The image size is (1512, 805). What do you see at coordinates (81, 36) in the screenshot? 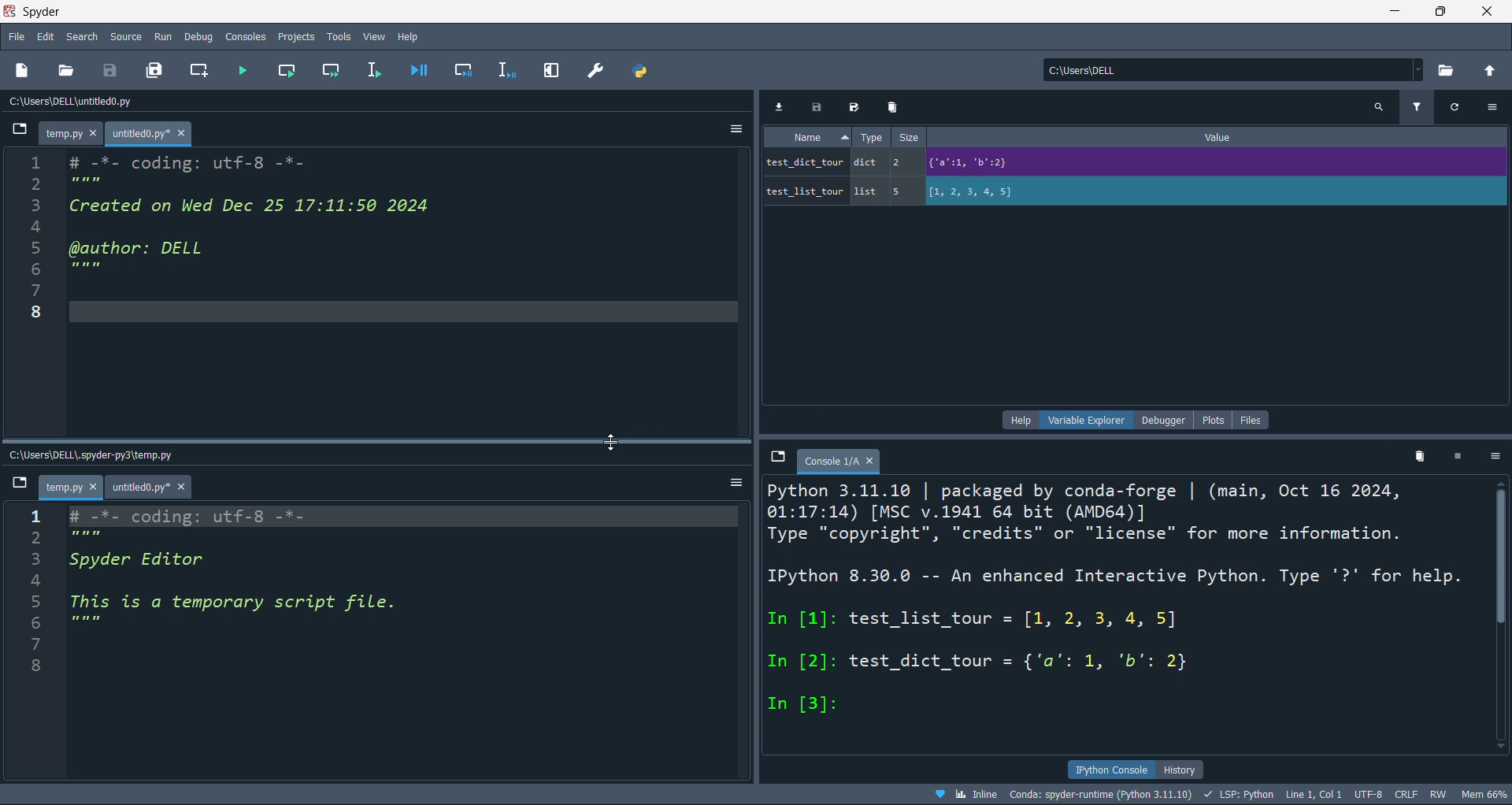
I see `search` at bounding box center [81, 36].